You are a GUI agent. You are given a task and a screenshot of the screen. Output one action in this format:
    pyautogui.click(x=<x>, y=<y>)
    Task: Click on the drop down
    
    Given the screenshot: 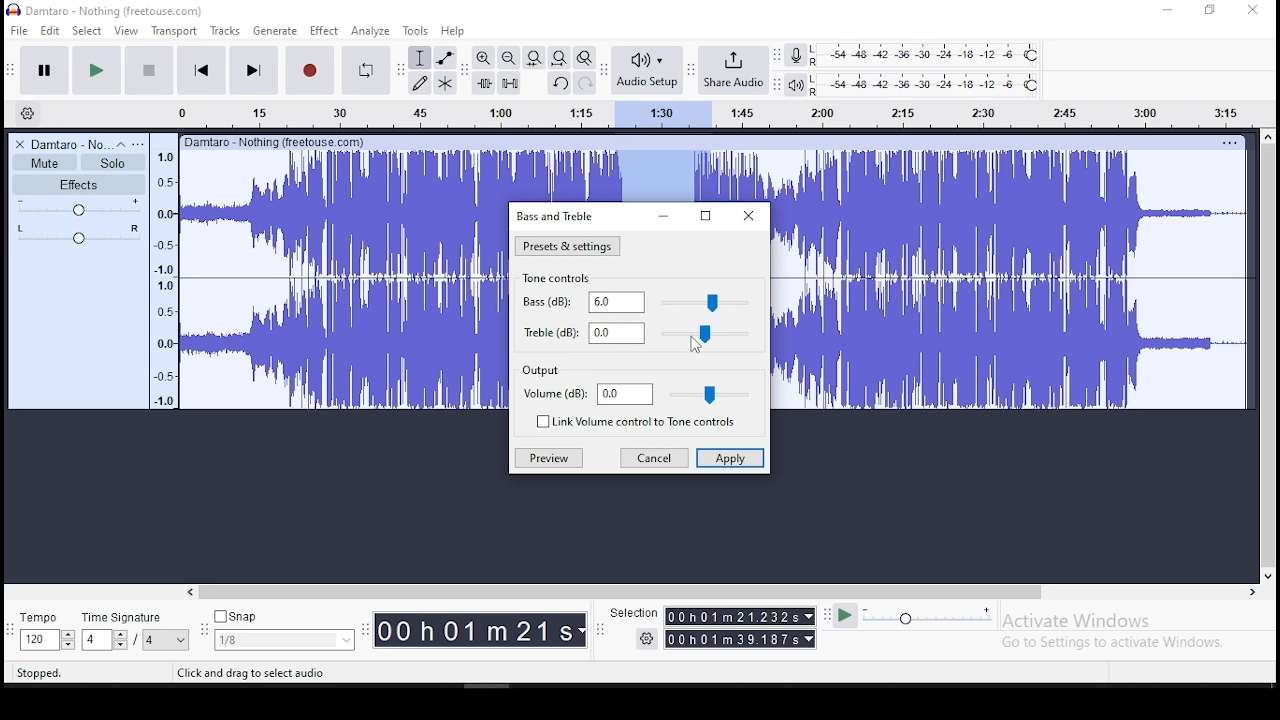 What is the action you would take?
    pyautogui.click(x=344, y=640)
    